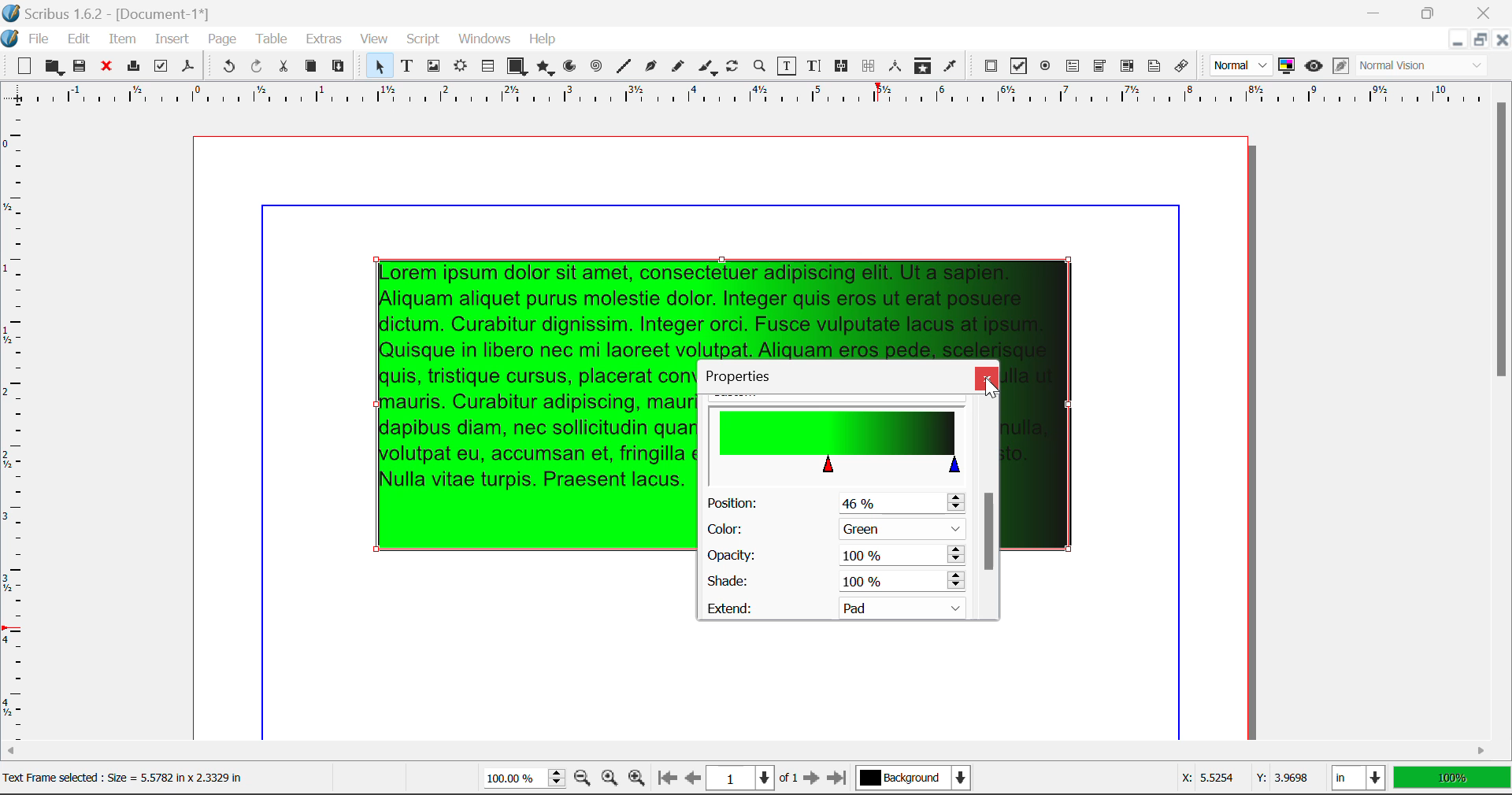  Describe the element at coordinates (81, 67) in the screenshot. I see `Save` at that location.